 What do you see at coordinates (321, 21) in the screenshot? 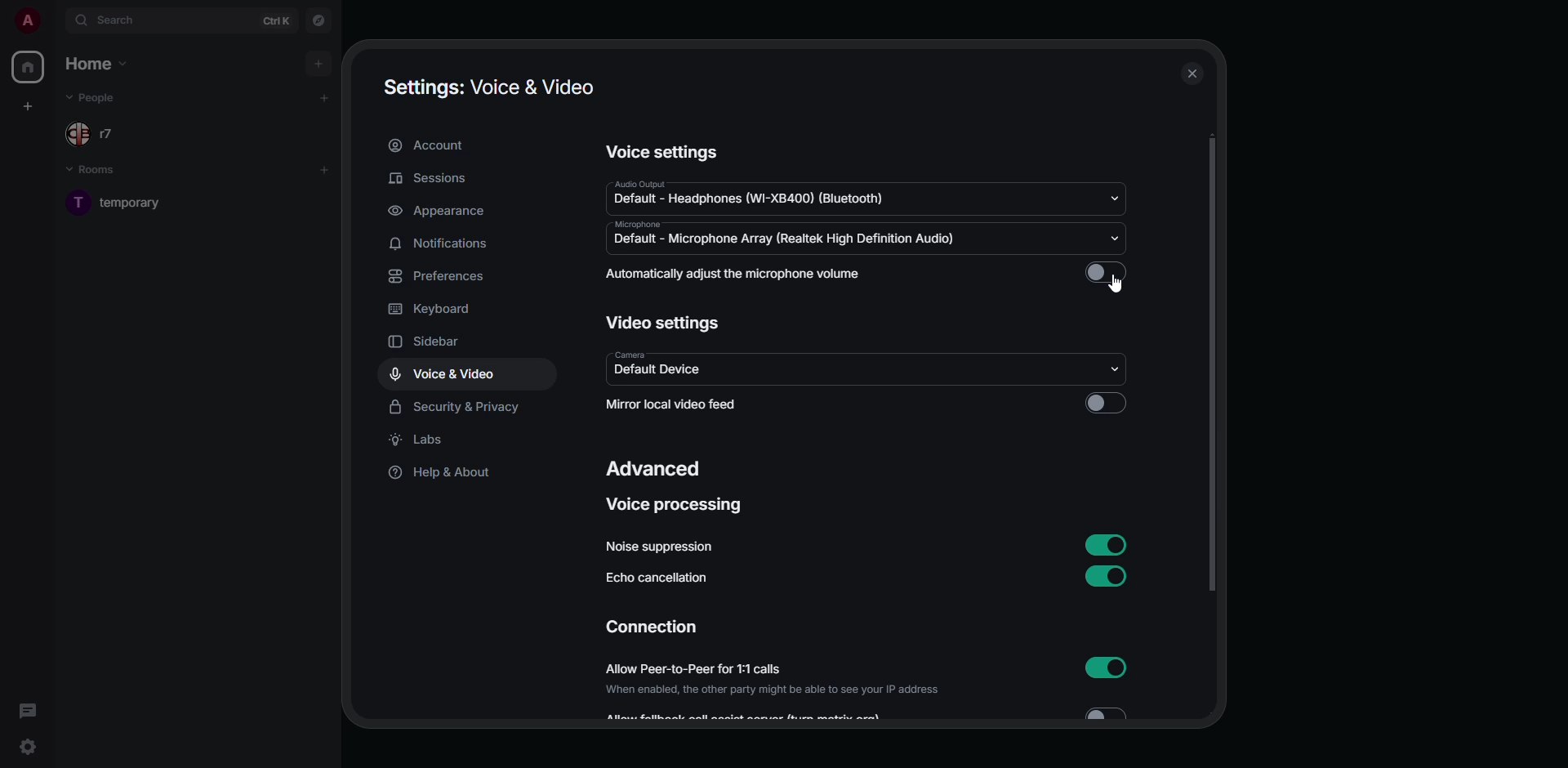
I see `navigator` at bounding box center [321, 21].